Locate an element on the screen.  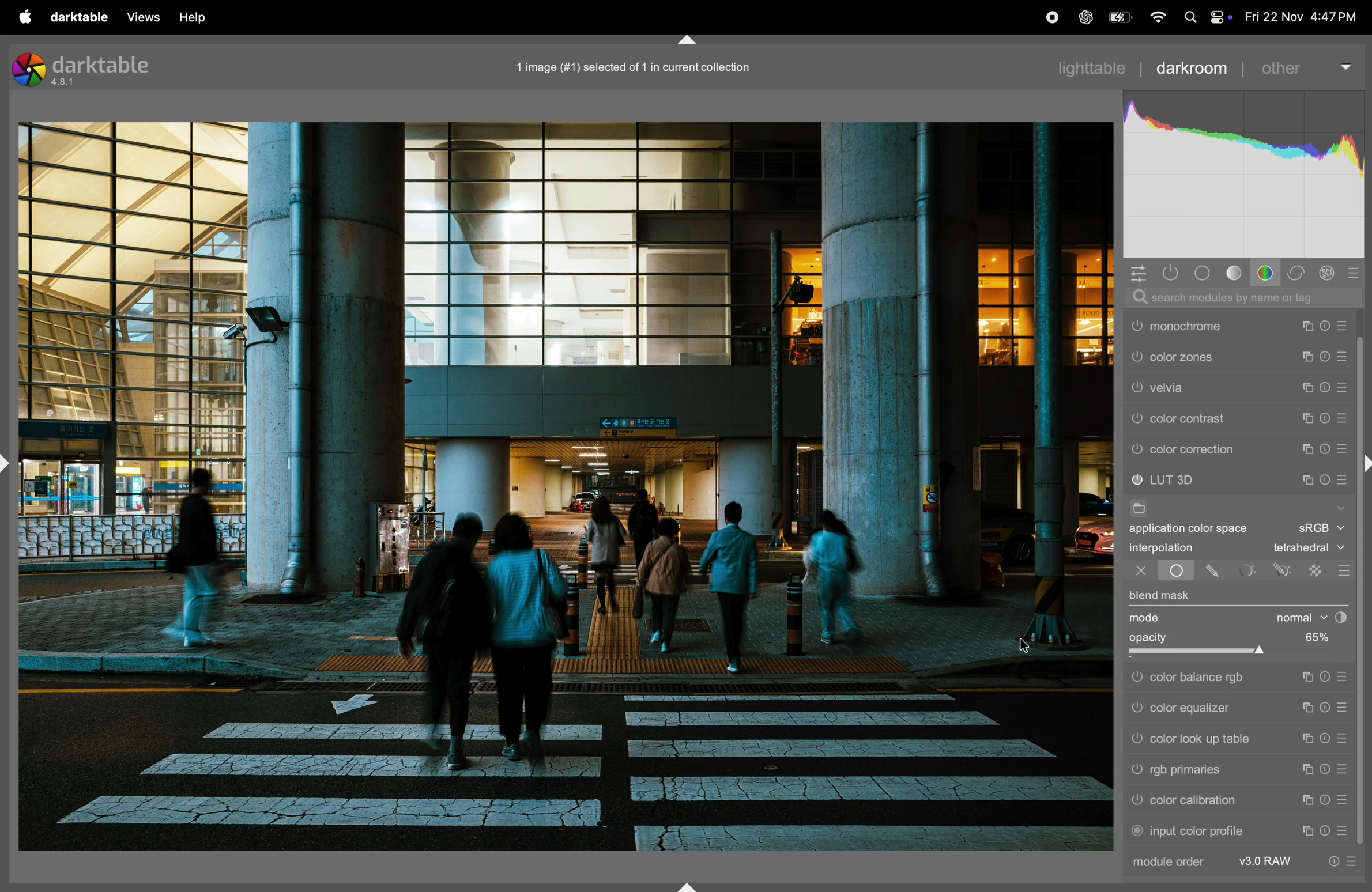
reset is located at coordinates (1325, 770).